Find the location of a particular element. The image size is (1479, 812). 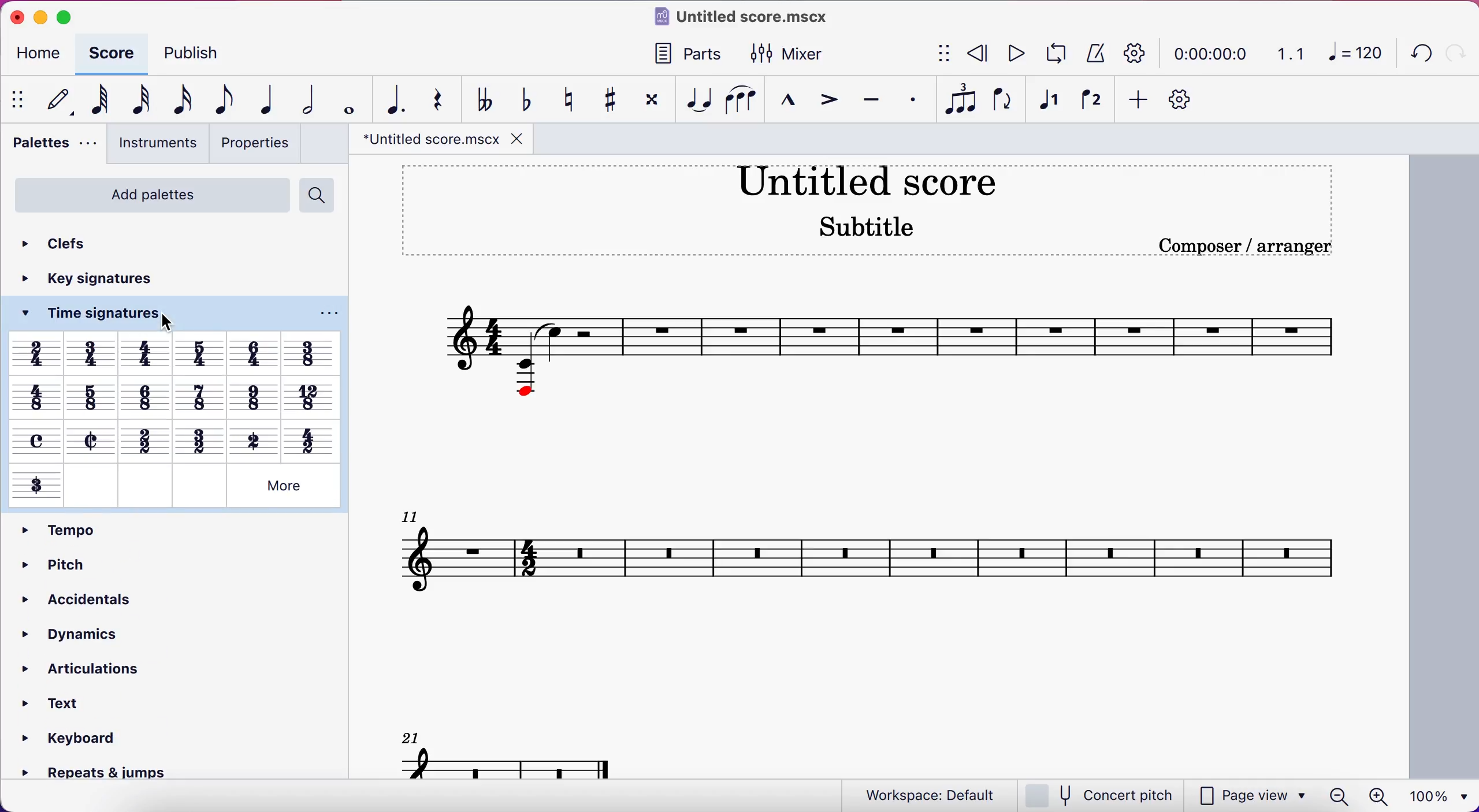

show/hide is located at coordinates (946, 53).